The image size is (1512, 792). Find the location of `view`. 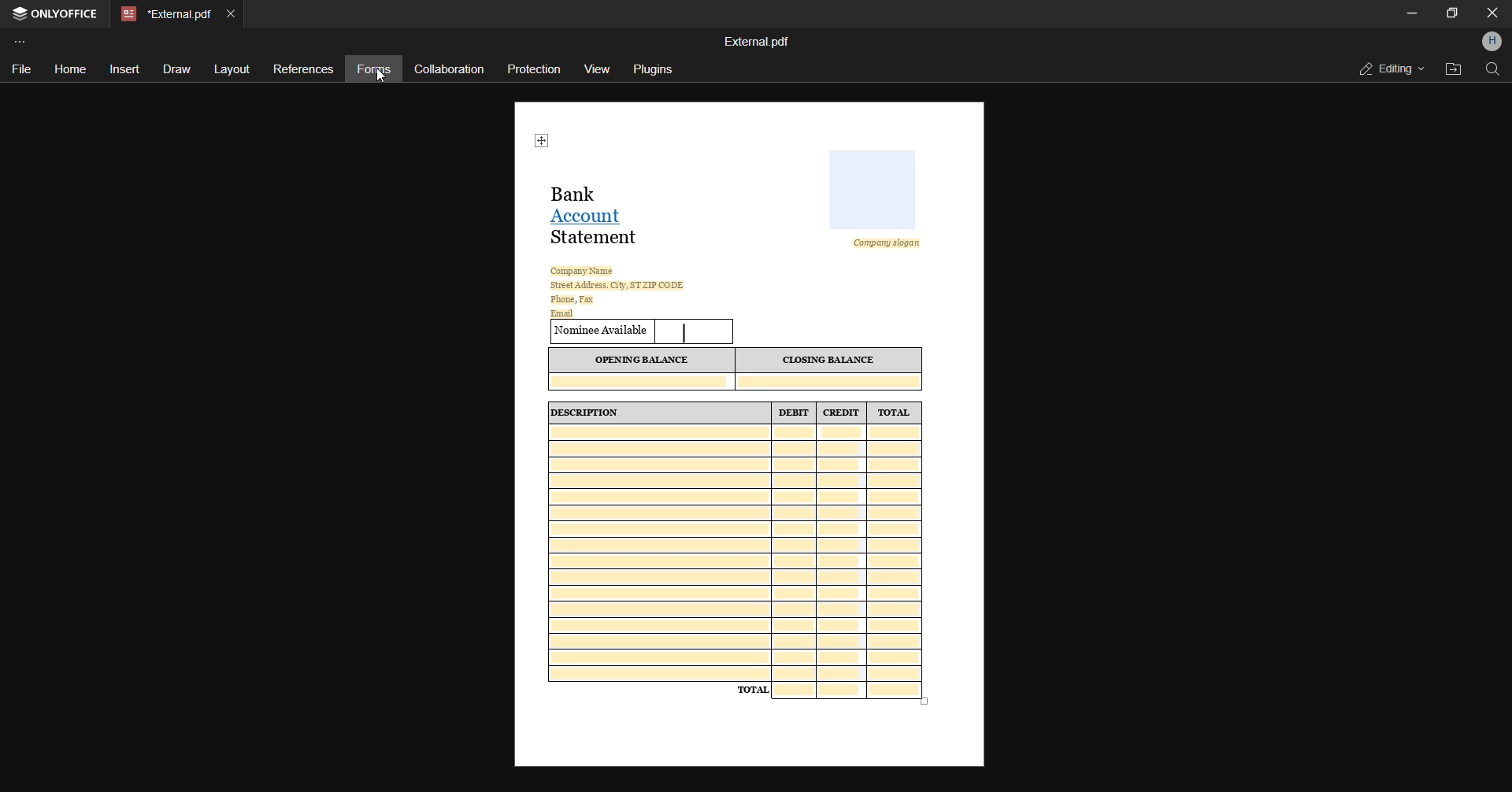

view is located at coordinates (598, 69).